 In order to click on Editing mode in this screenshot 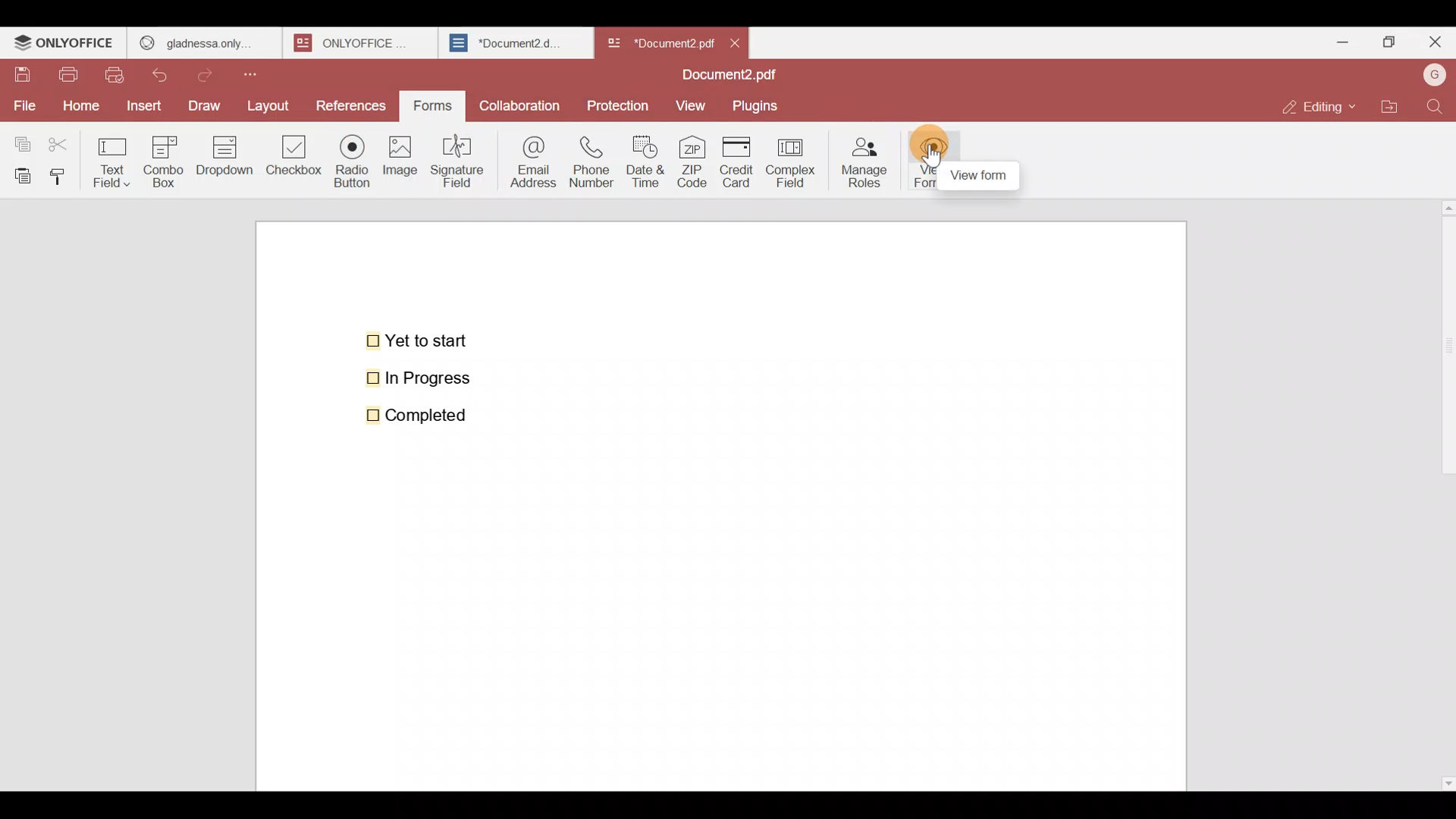, I will do `click(1316, 107)`.